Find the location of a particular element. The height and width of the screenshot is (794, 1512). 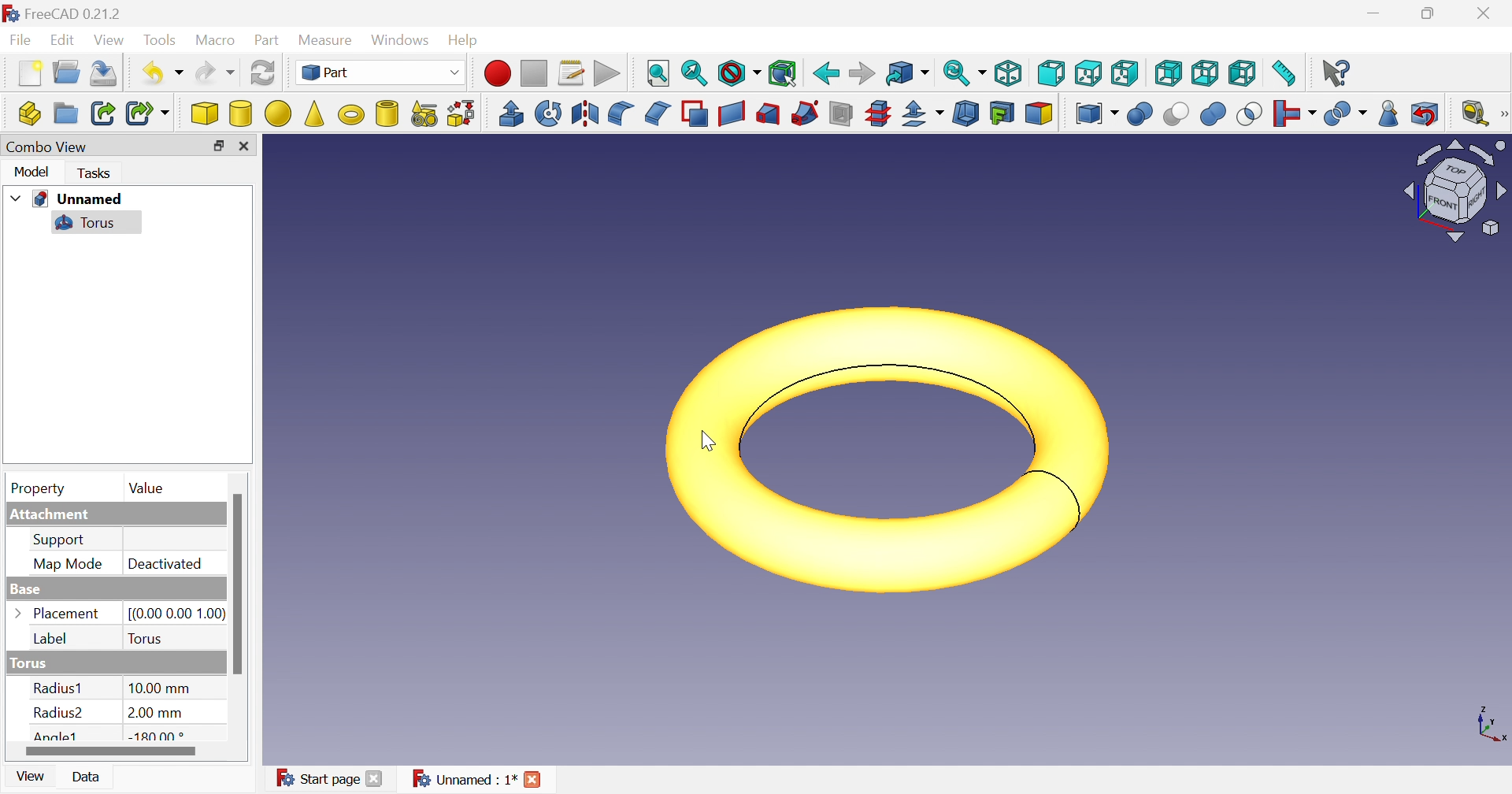

Make sub-link is located at coordinates (148, 113).